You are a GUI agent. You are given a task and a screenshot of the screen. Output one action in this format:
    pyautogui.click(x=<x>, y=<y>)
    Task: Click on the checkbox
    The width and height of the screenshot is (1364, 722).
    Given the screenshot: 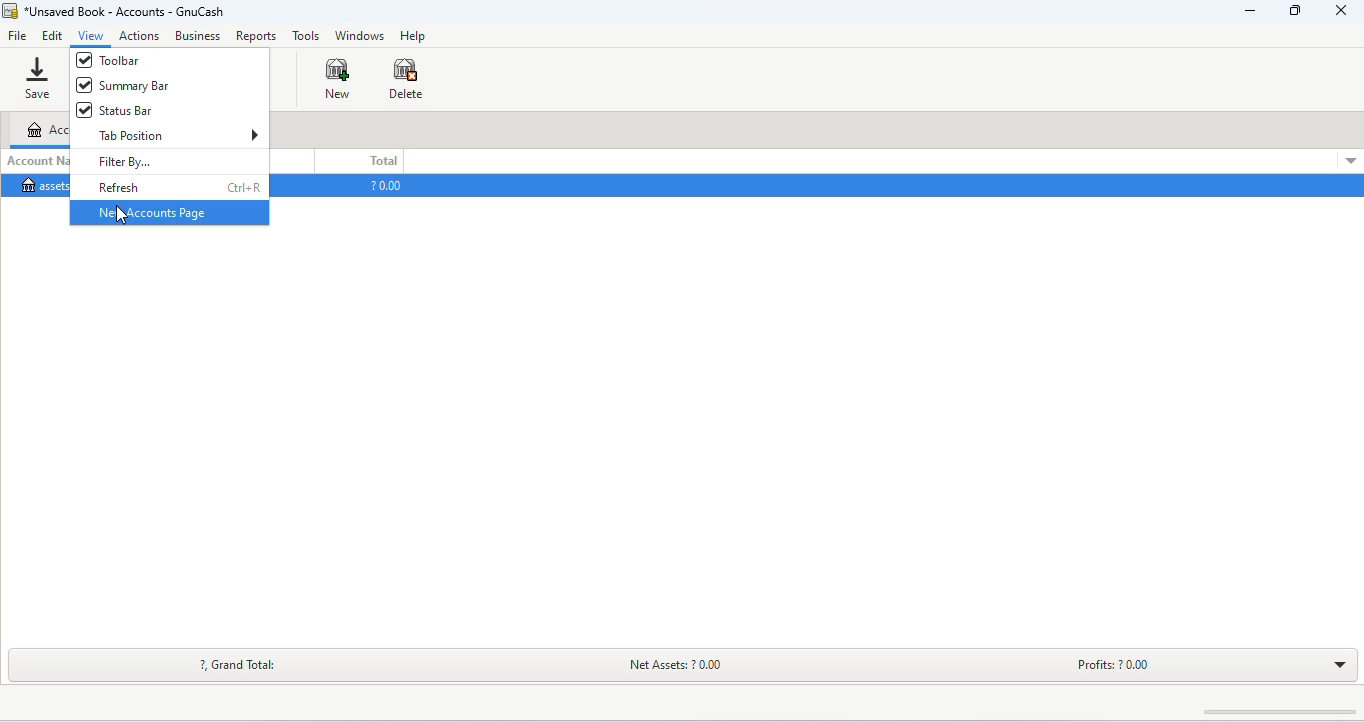 What is the action you would take?
    pyautogui.click(x=83, y=60)
    